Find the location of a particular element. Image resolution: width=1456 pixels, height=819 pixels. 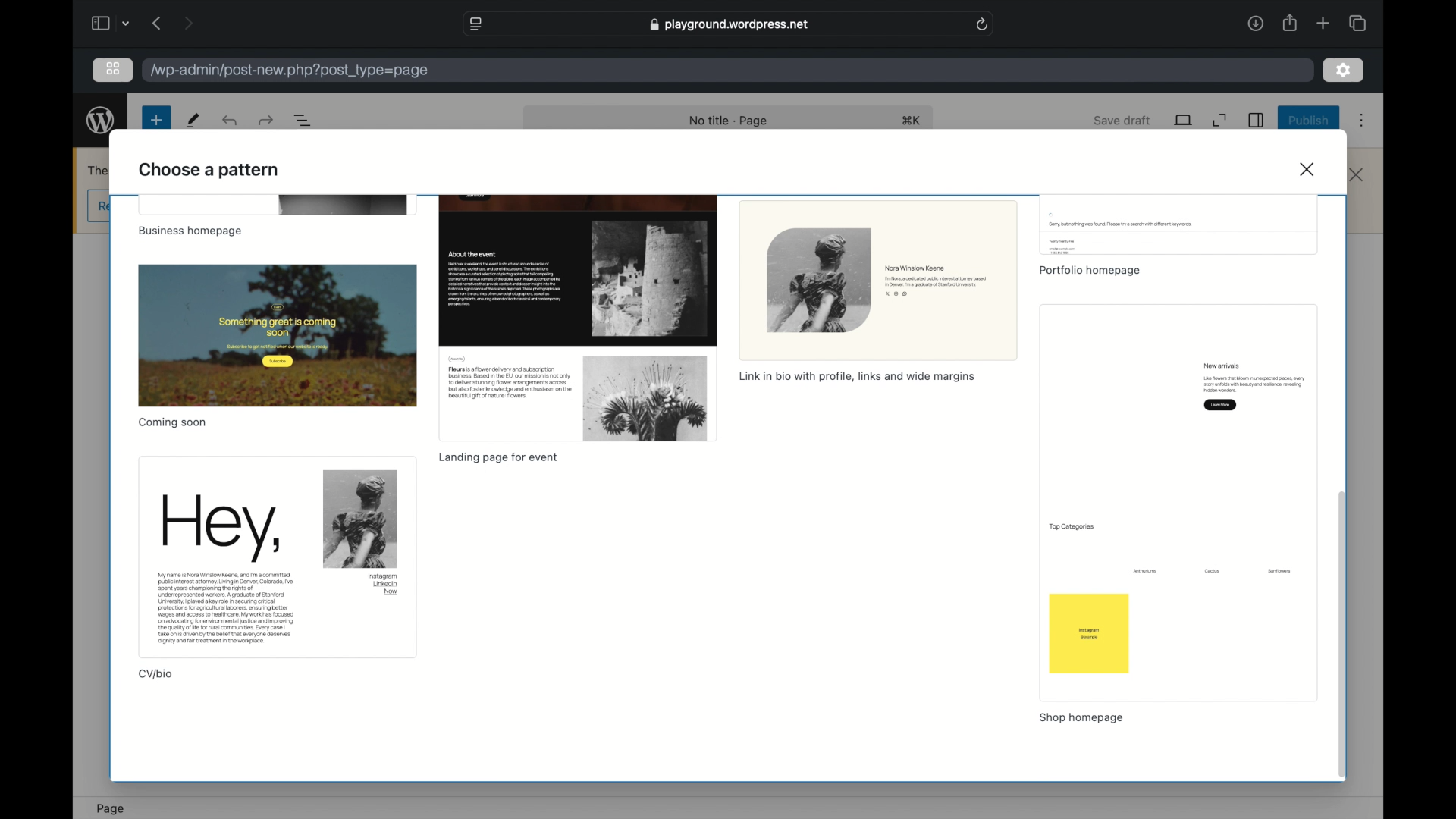

dropdown is located at coordinates (127, 24).